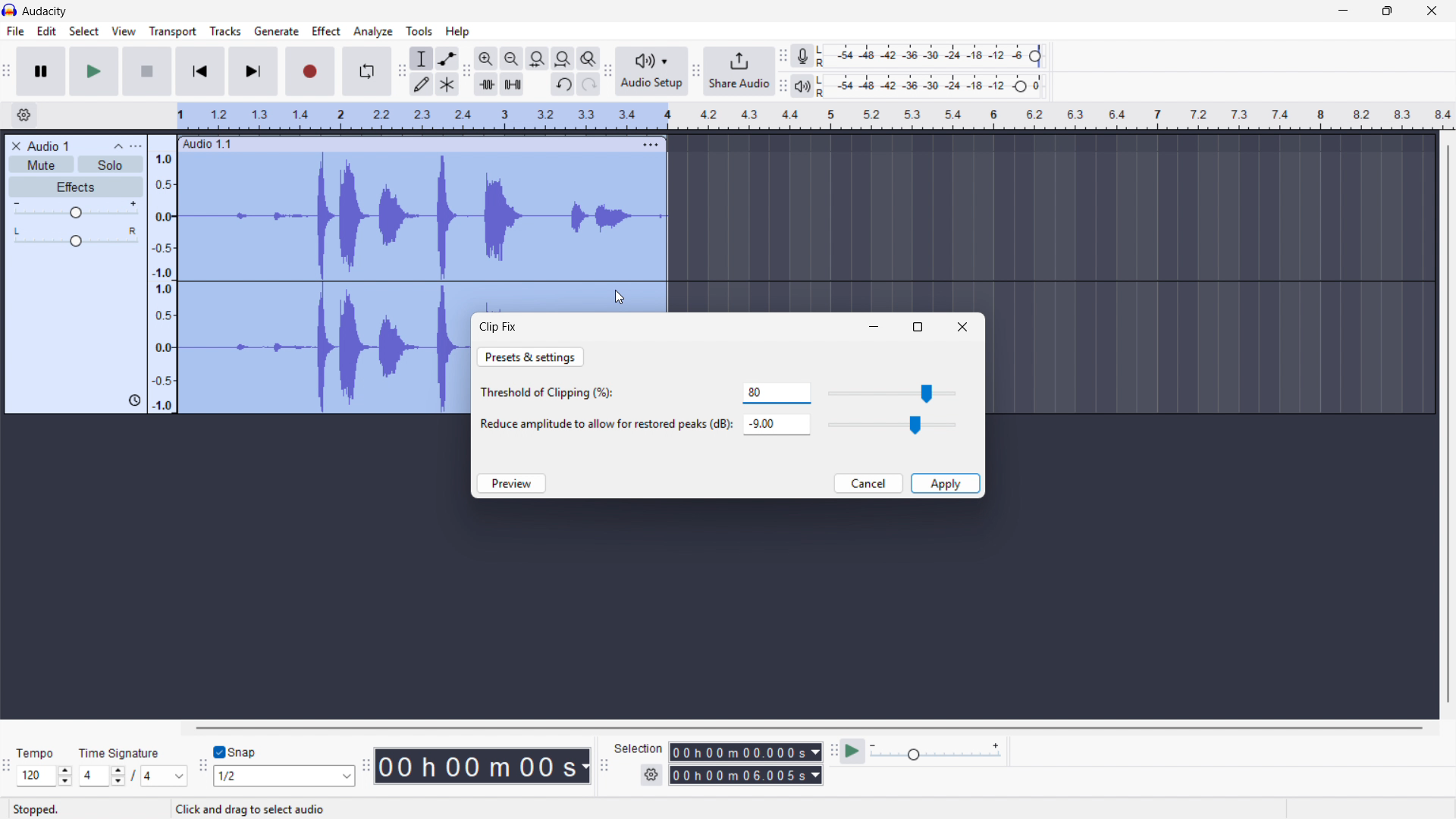 The image size is (1456, 819). What do you see at coordinates (447, 58) in the screenshot?
I see `Envelope tool` at bounding box center [447, 58].